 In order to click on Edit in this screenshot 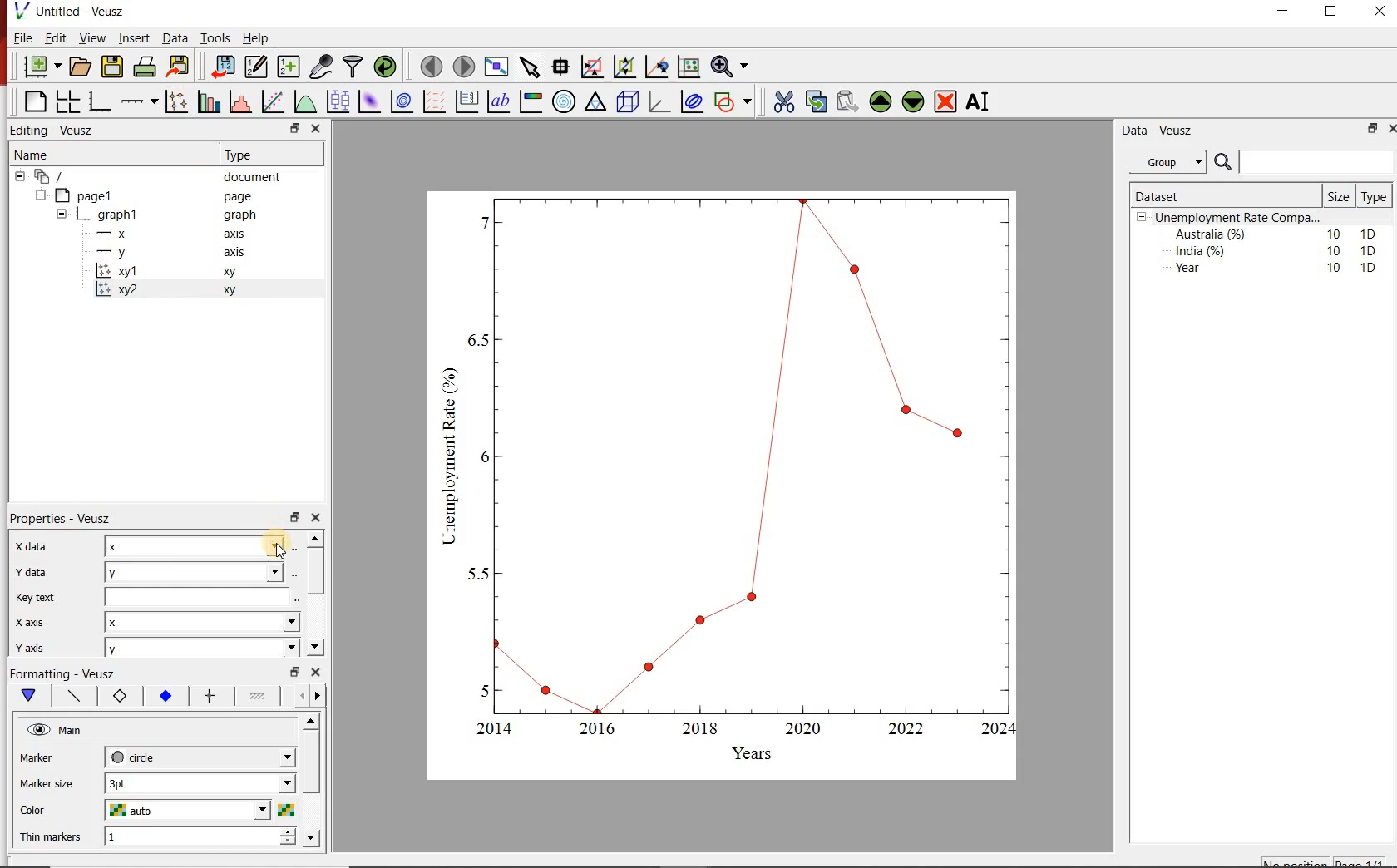, I will do `click(53, 37)`.